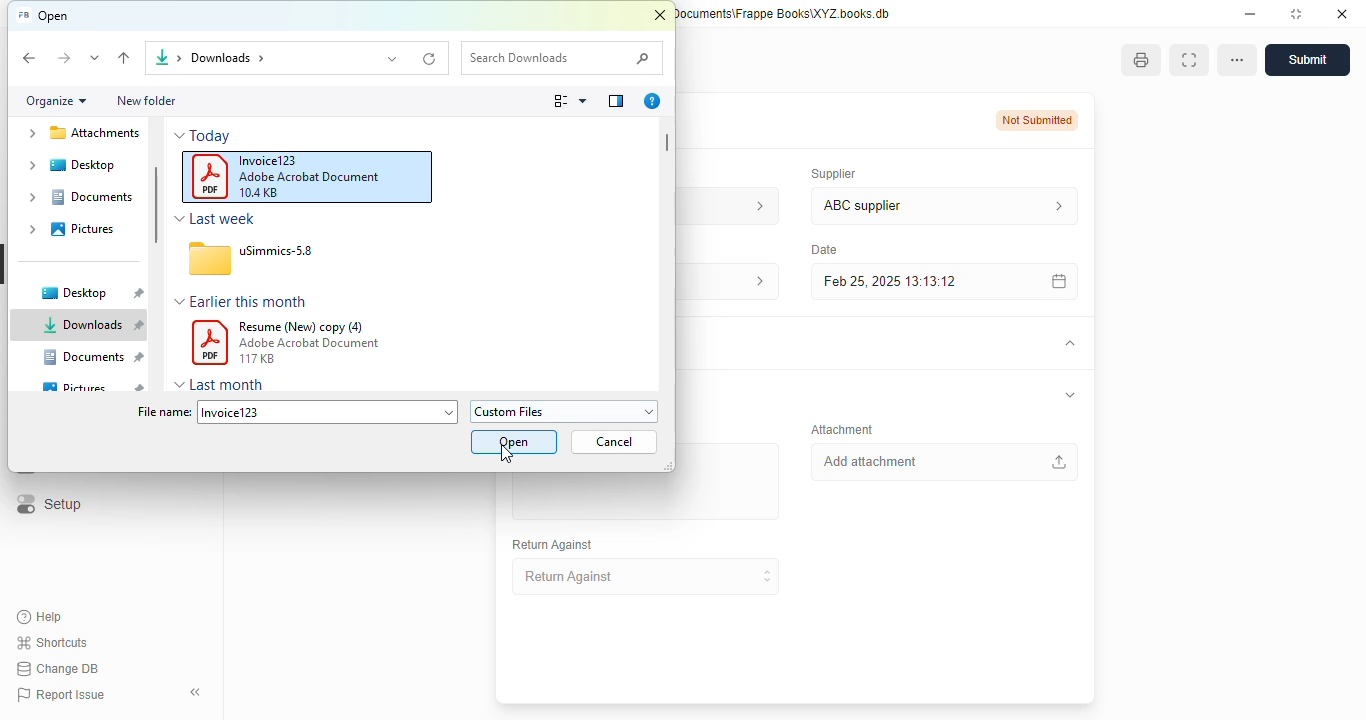  What do you see at coordinates (210, 136) in the screenshot?
I see `today` at bounding box center [210, 136].